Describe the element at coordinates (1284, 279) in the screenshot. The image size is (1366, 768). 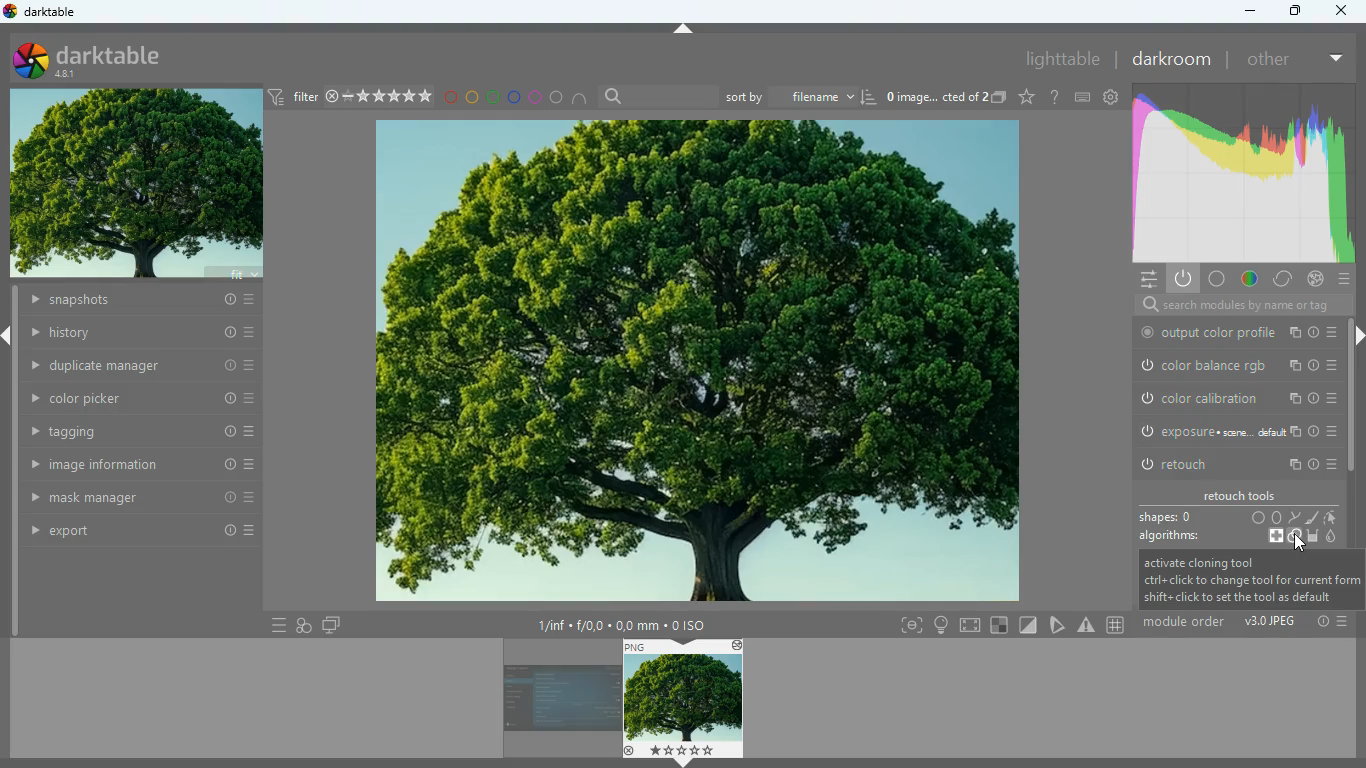
I see `control` at that location.